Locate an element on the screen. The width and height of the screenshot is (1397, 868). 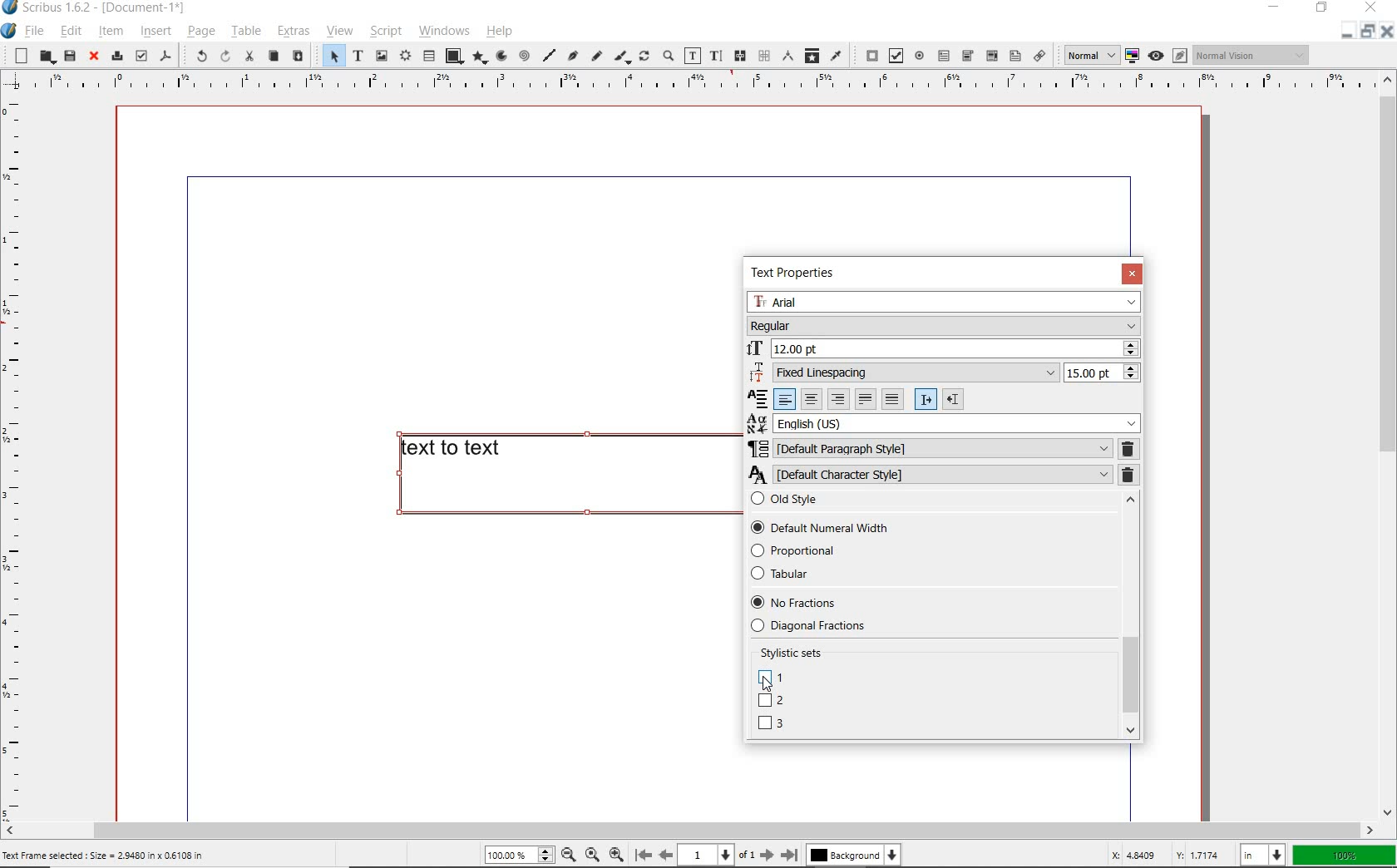
No Fractions is located at coordinates (793, 602).